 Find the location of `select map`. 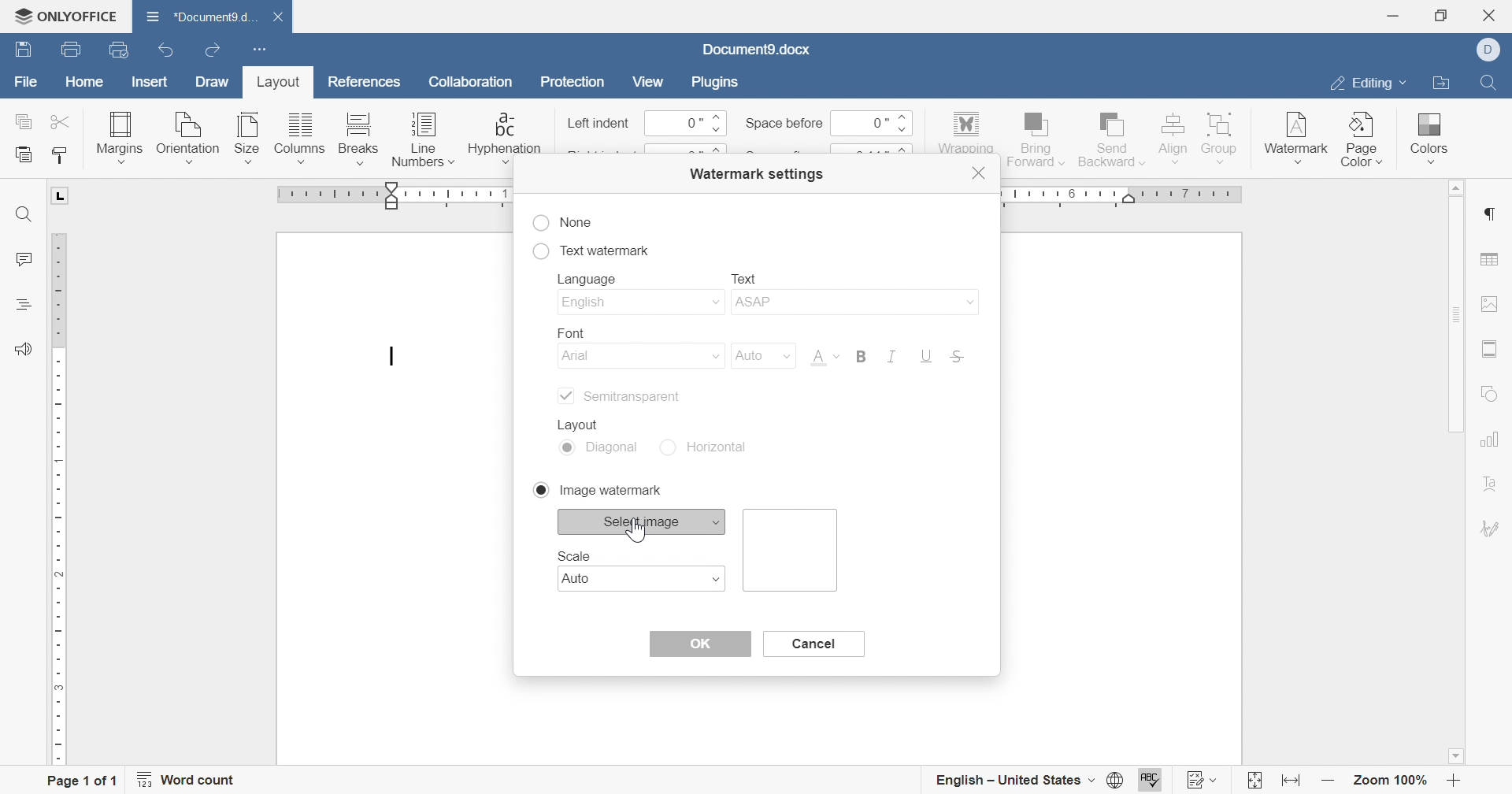

select map is located at coordinates (643, 521).